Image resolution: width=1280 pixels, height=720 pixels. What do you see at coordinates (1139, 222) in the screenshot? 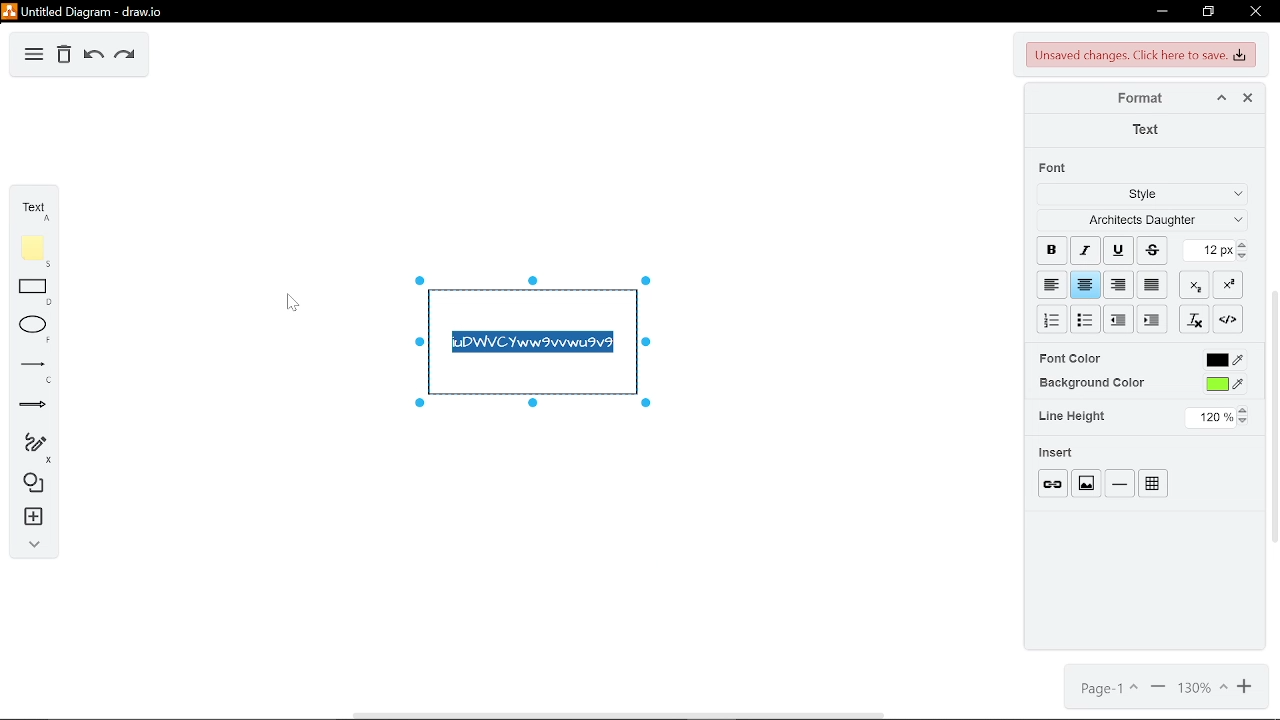
I see `architects daughter` at bounding box center [1139, 222].